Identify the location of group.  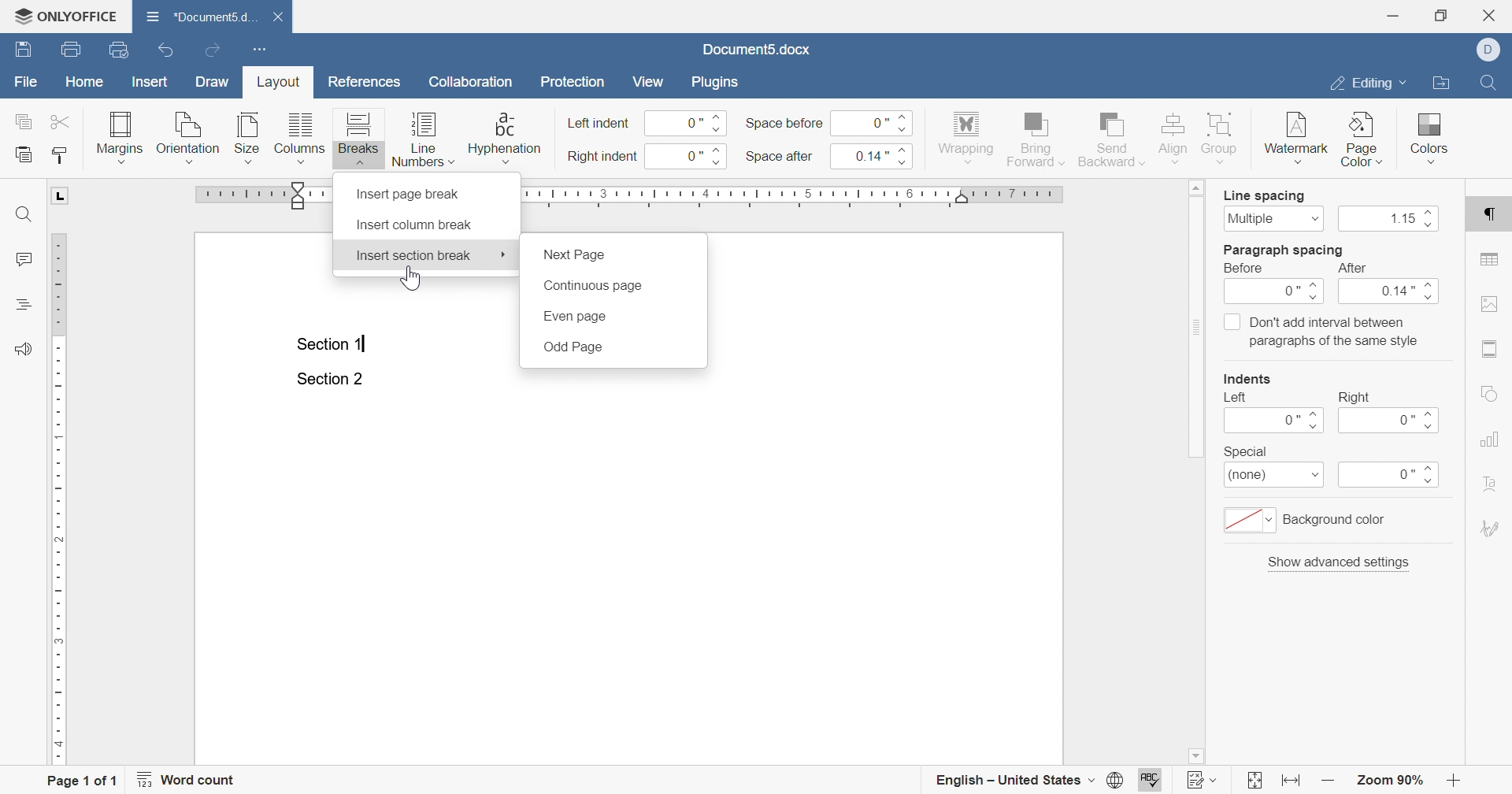
(1224, 139).